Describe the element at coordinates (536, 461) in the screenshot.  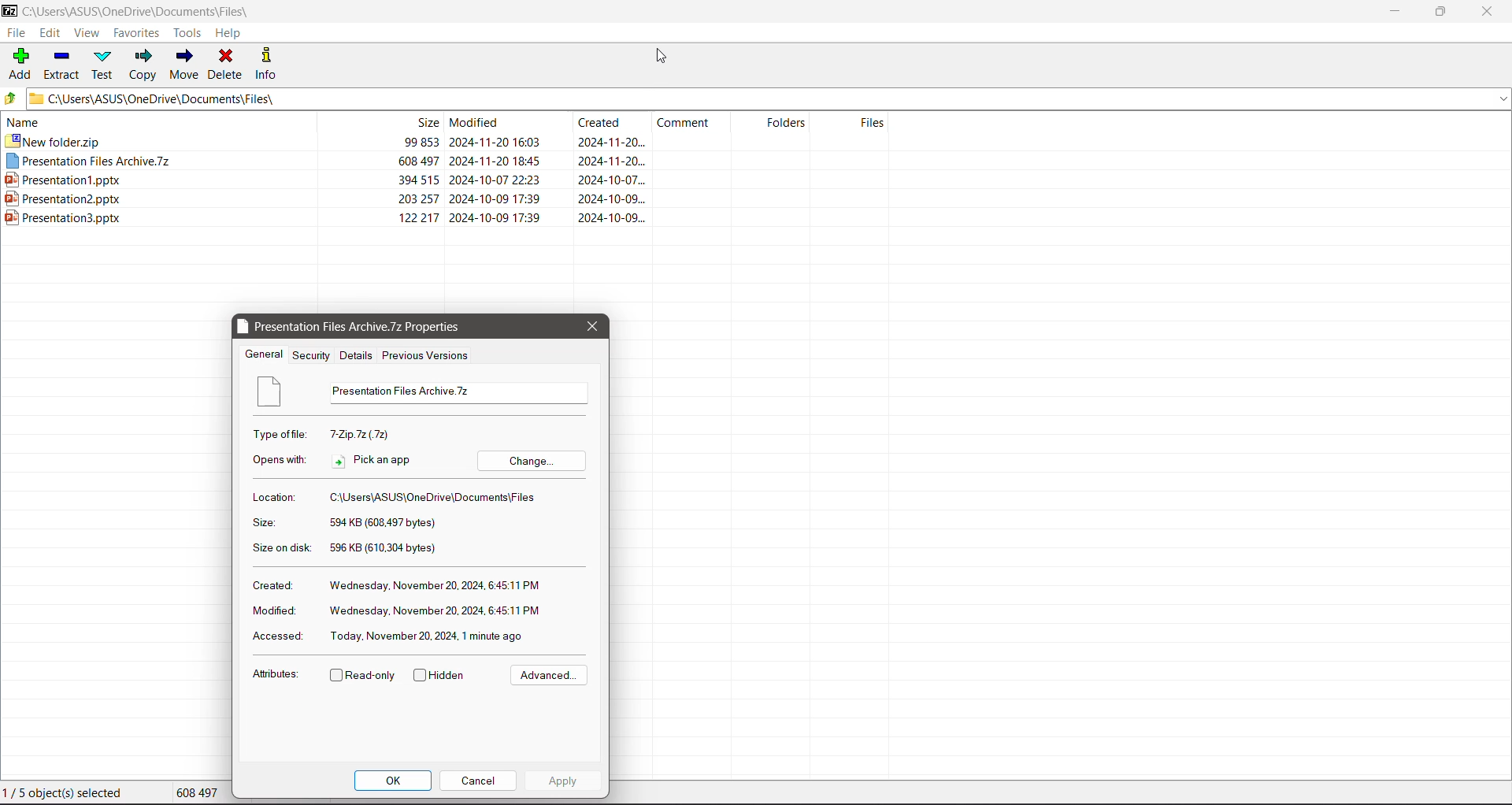
I see `Change - Click to change the app to open the selected file(s)` at that location.